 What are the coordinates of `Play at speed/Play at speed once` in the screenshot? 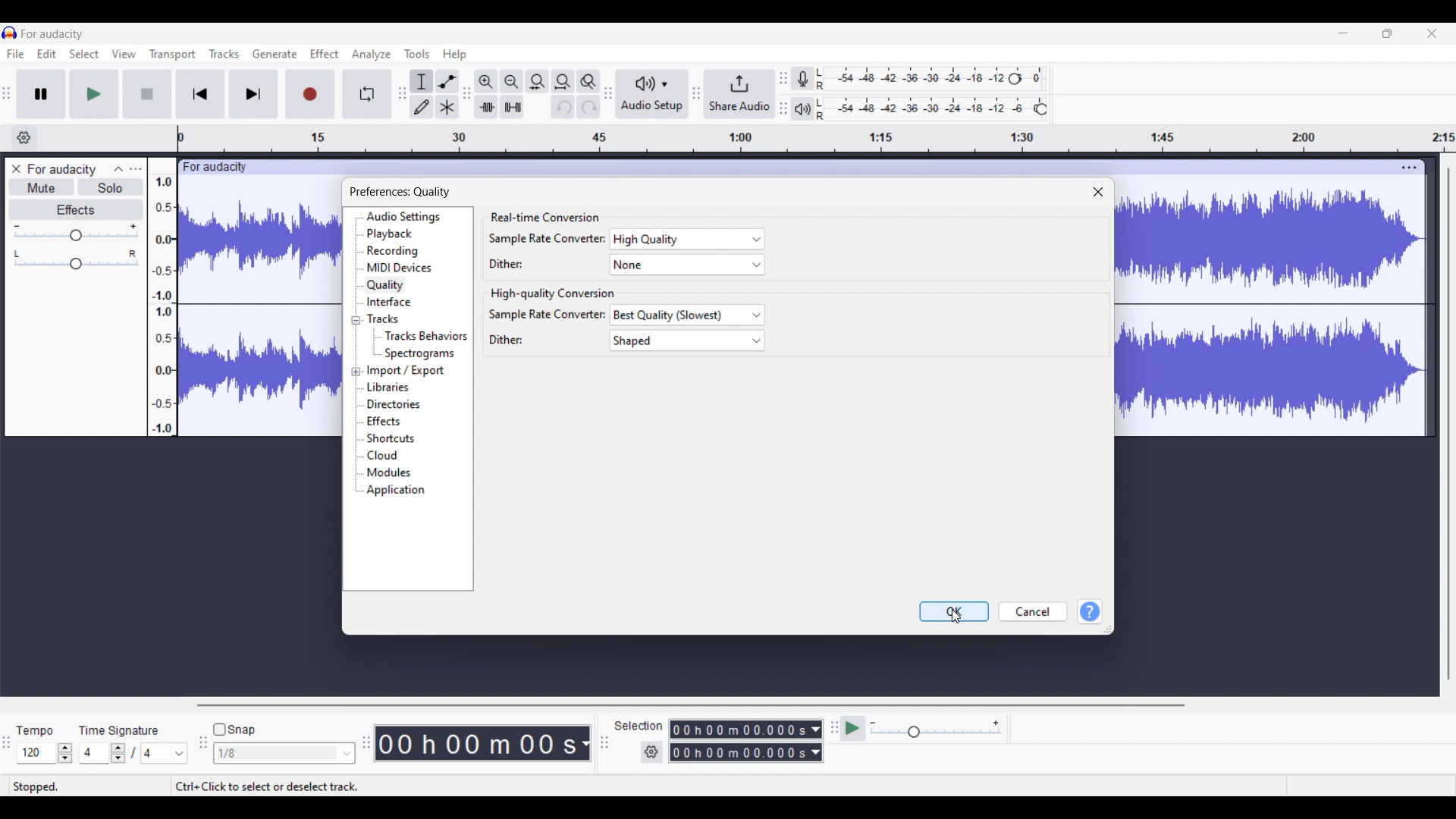 It's located at (852, 728).